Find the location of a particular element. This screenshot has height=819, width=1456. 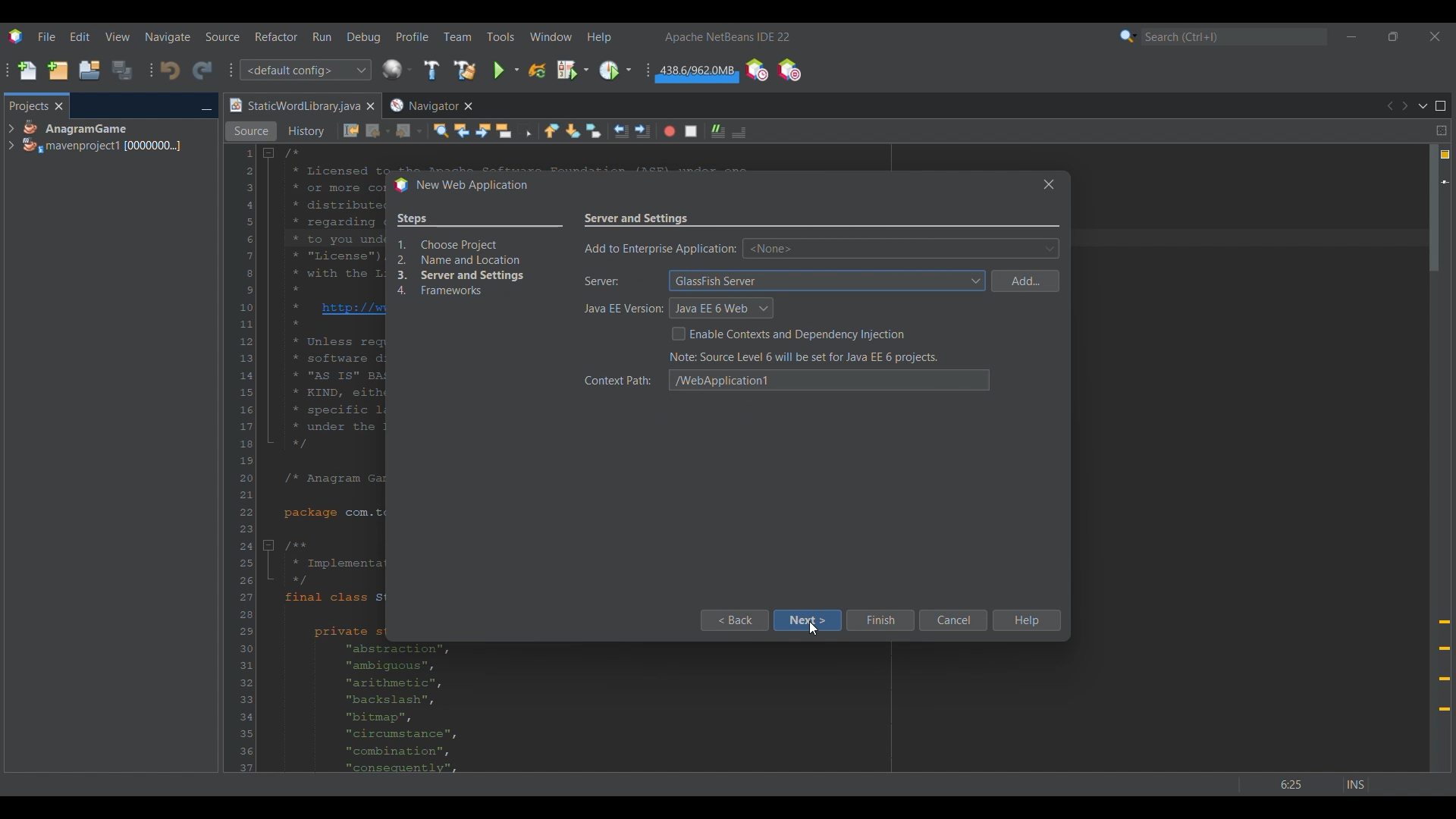

Debug main project options is located at coordinates (573, 69).